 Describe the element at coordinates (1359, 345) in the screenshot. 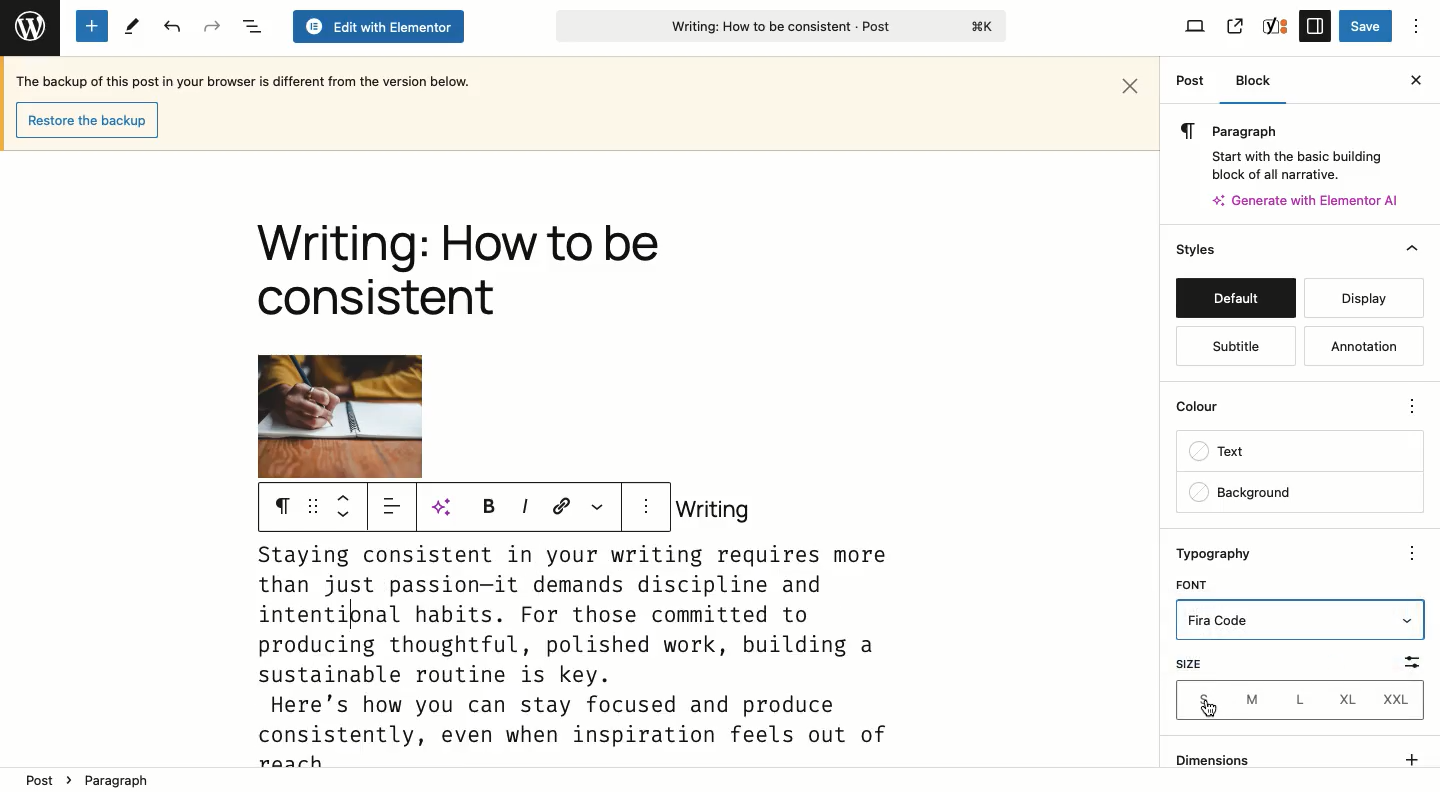

I see `Annotation` at that location.